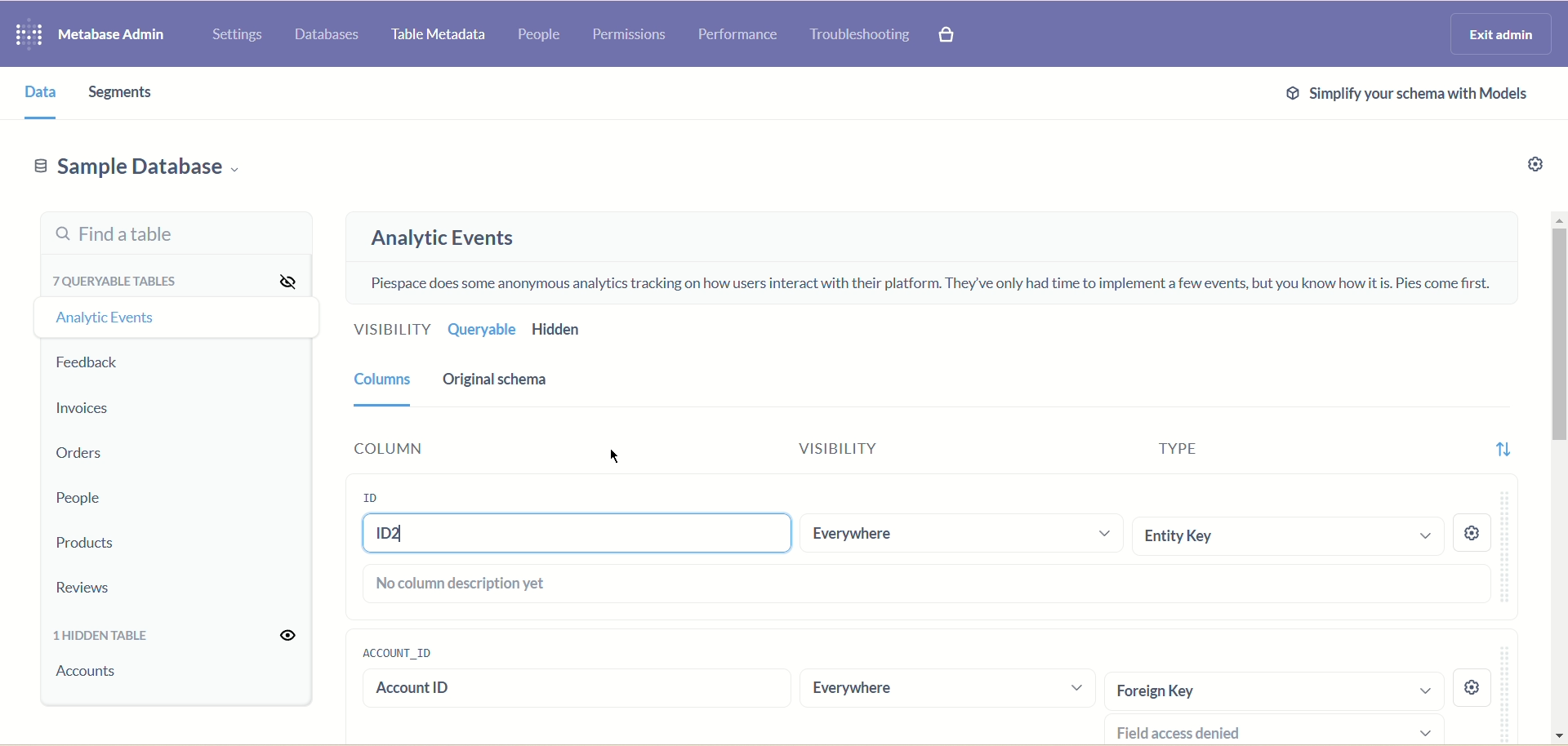 The image size is (1568, 746). Describe the element at coordinates (1402, 97) in the screenshot. I see `Simplify schema with models` at that location.